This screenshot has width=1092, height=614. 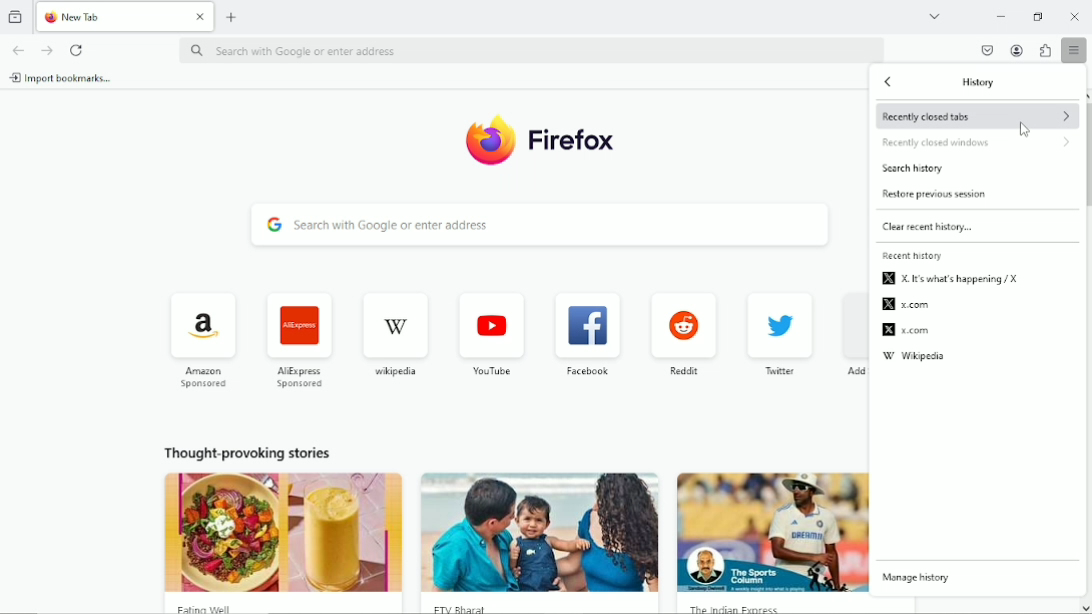 What do you see at coordinates (953, 280) in the screenshot?
I see `X. It's what's happening/ X` at bounding box center [953, 280].